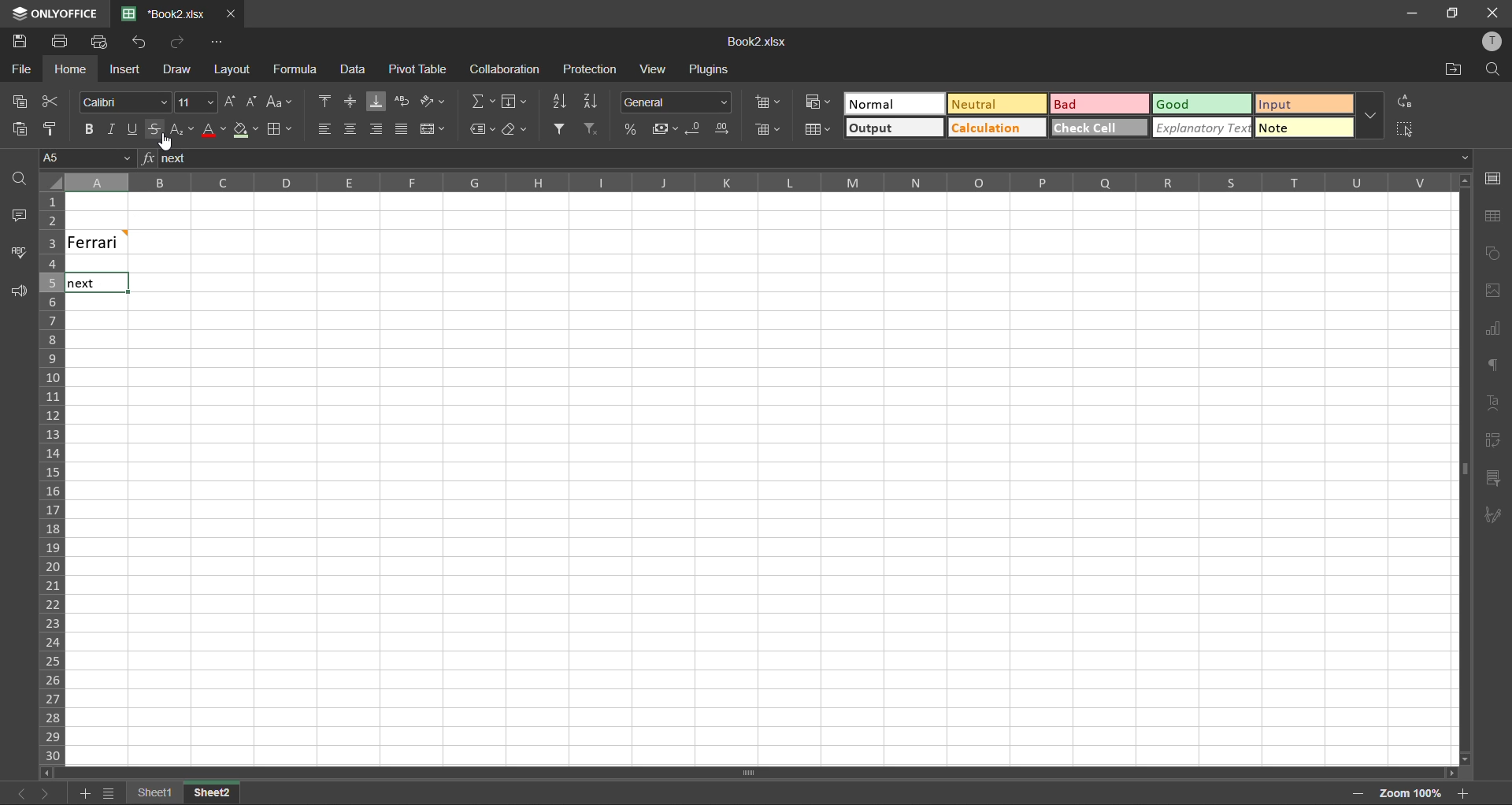 The height and width of the screenshot is (805, 1512). I want to click on number format, so click(676, 101).